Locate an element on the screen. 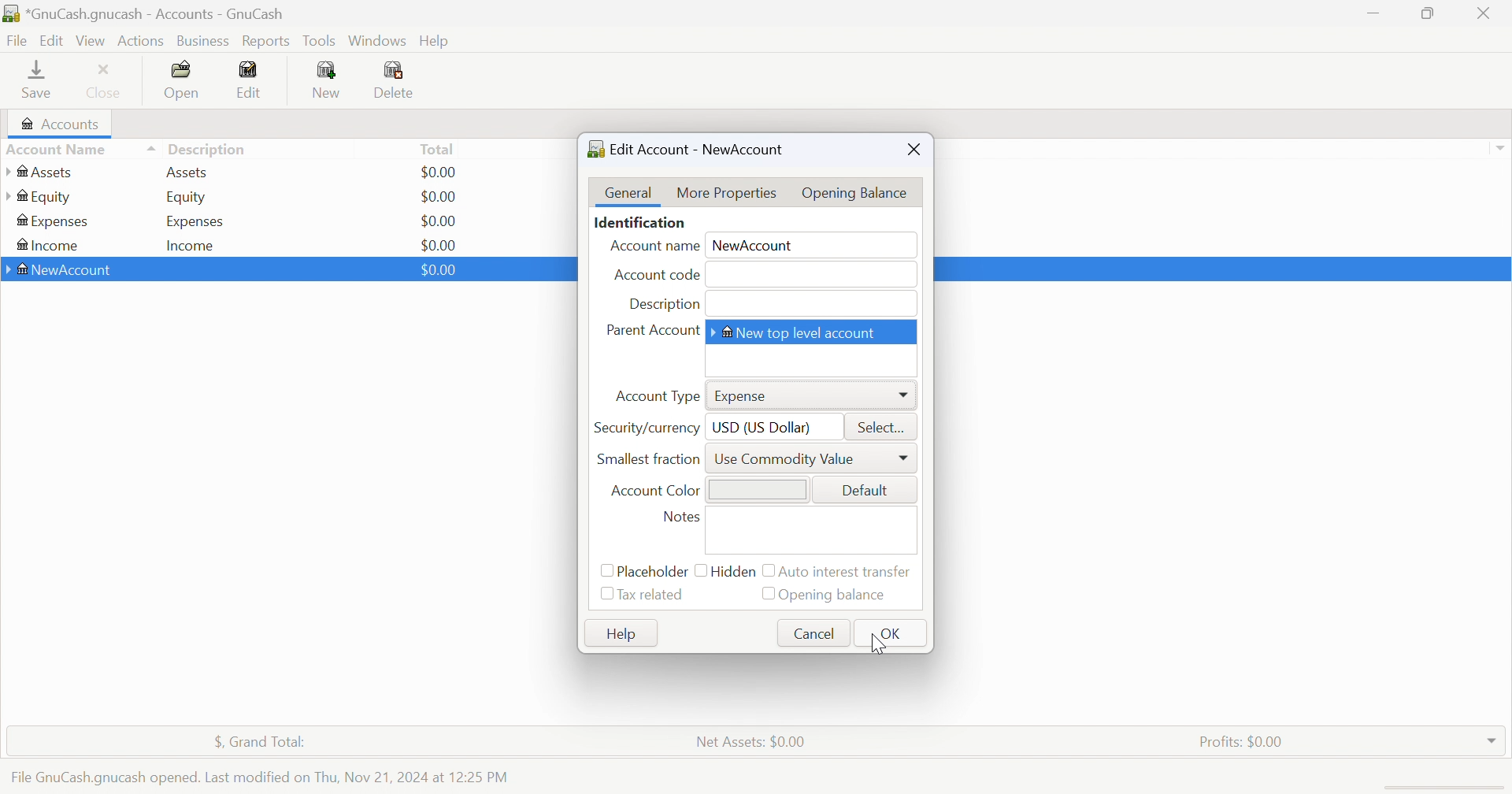 The width and height of the screenshot is (1512, 794). Expenses is located at coordinates (54, 222).